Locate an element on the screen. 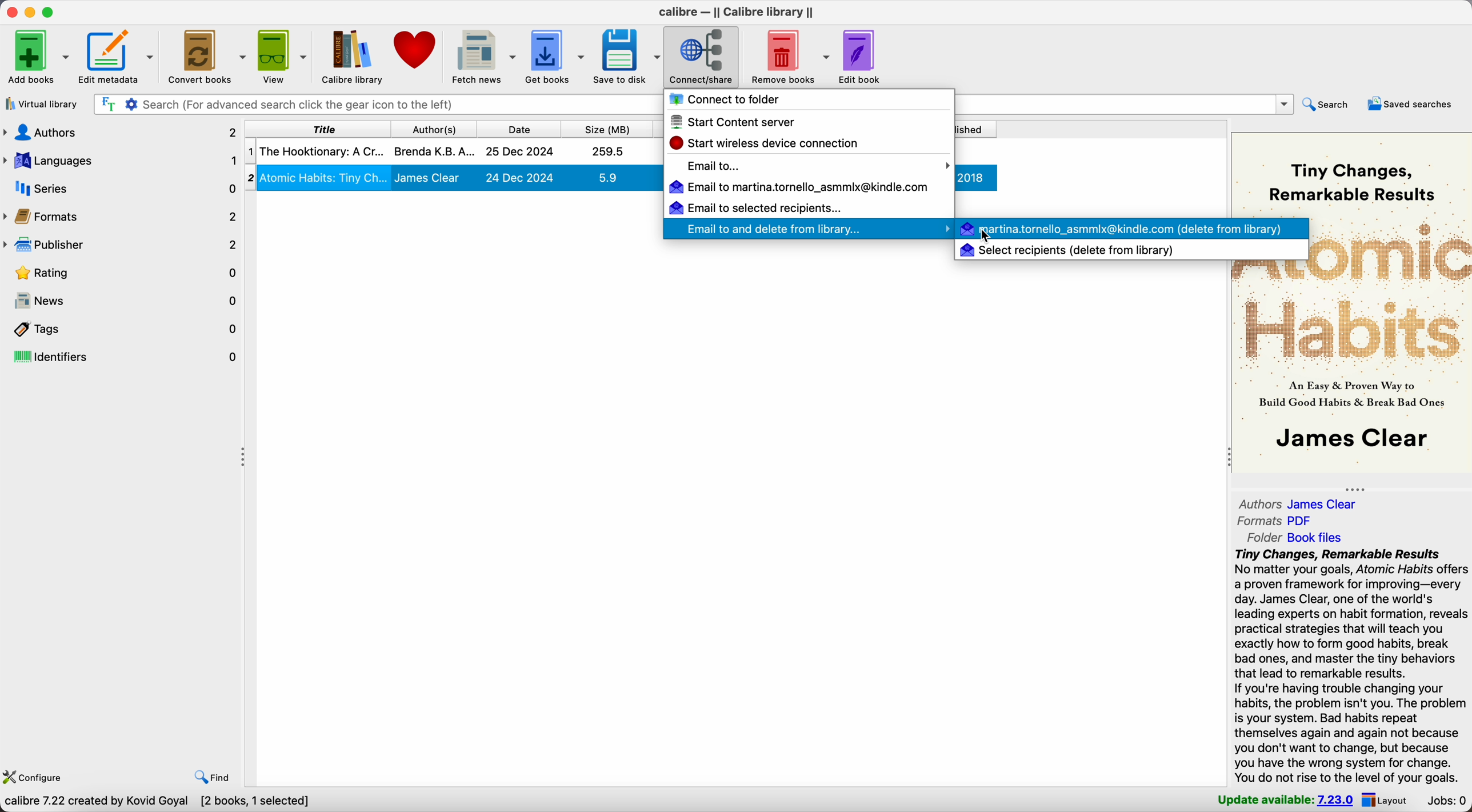 Image resolution: width=1472 pixels, height=812 pixels. author(s) is located at coordinates (431, 128).